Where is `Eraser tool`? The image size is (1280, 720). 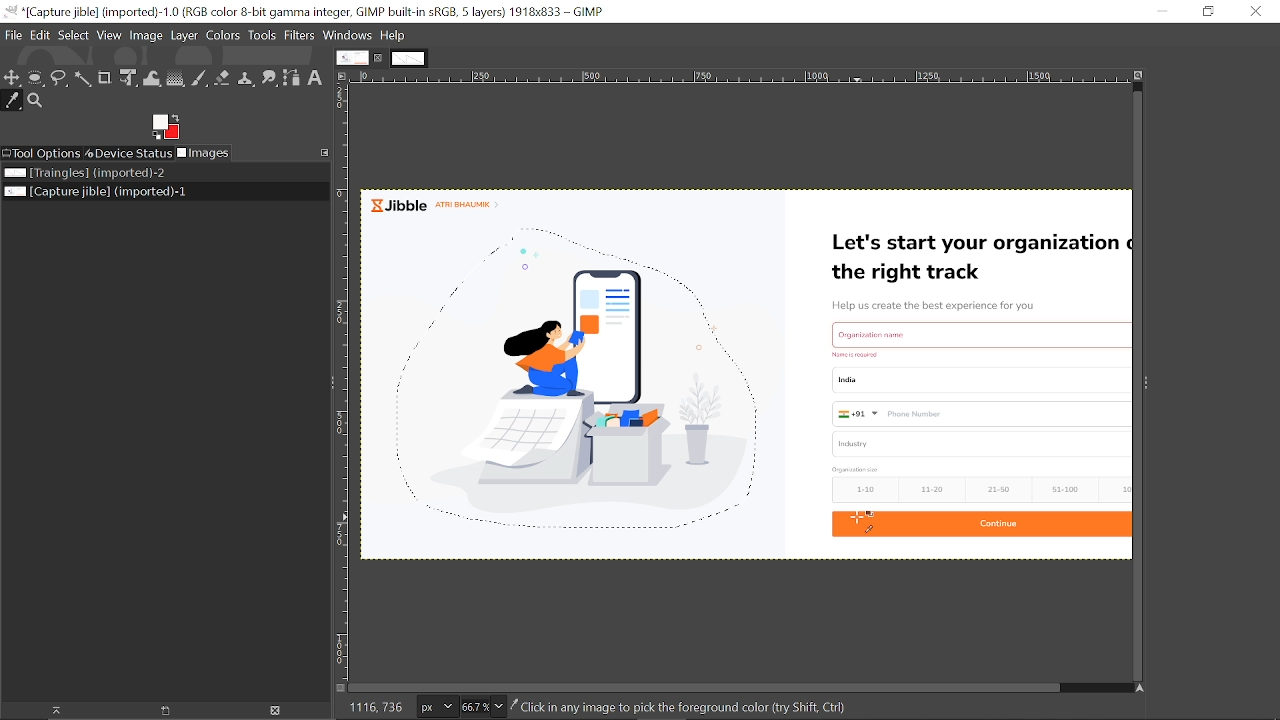 Eraser tool is located at coordinates (222, 78).